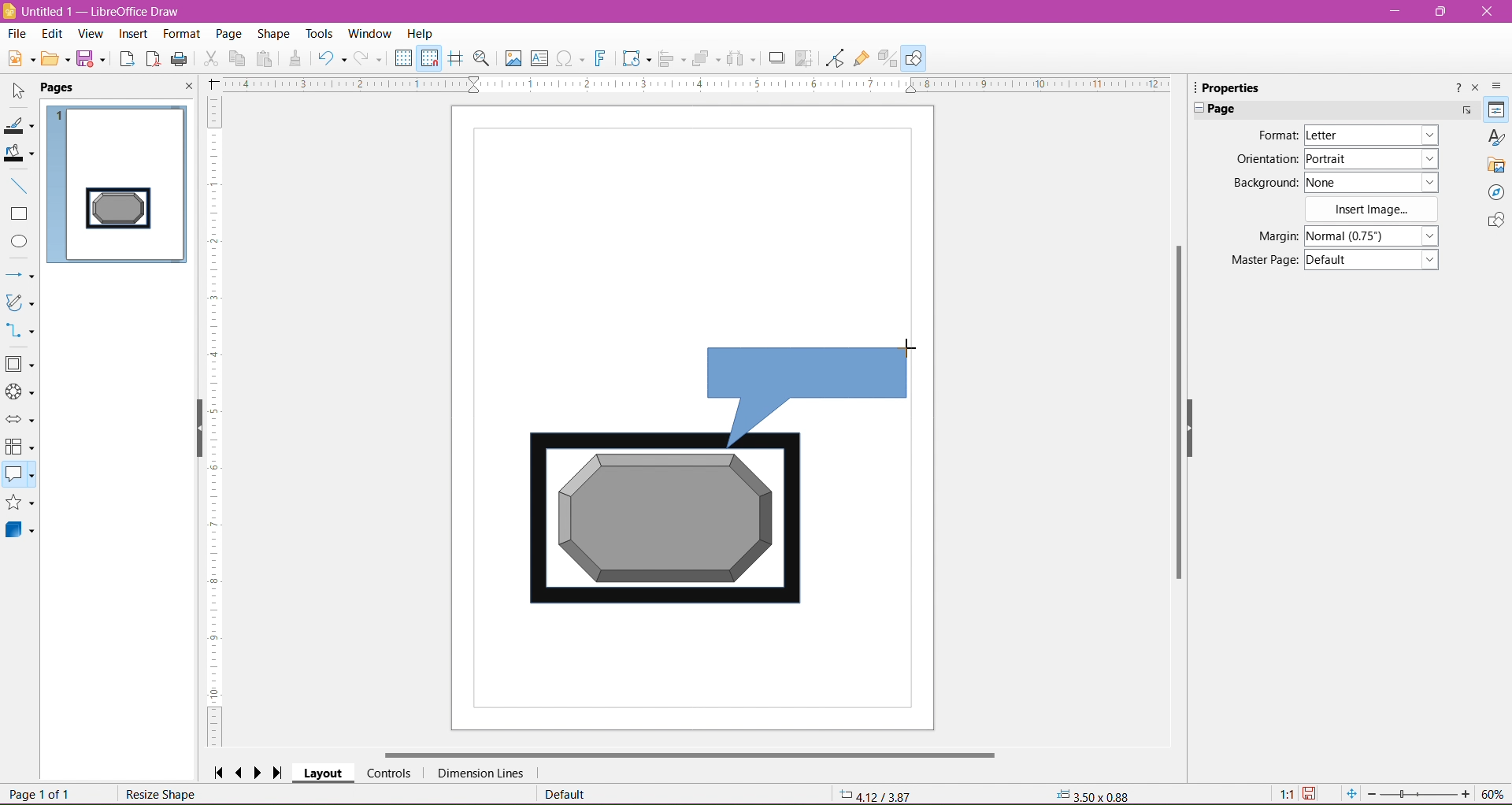 Image resolution: width=1512 pixels, height=805 pixels. I want to click on Lines and Arrows, so click(20, 275).